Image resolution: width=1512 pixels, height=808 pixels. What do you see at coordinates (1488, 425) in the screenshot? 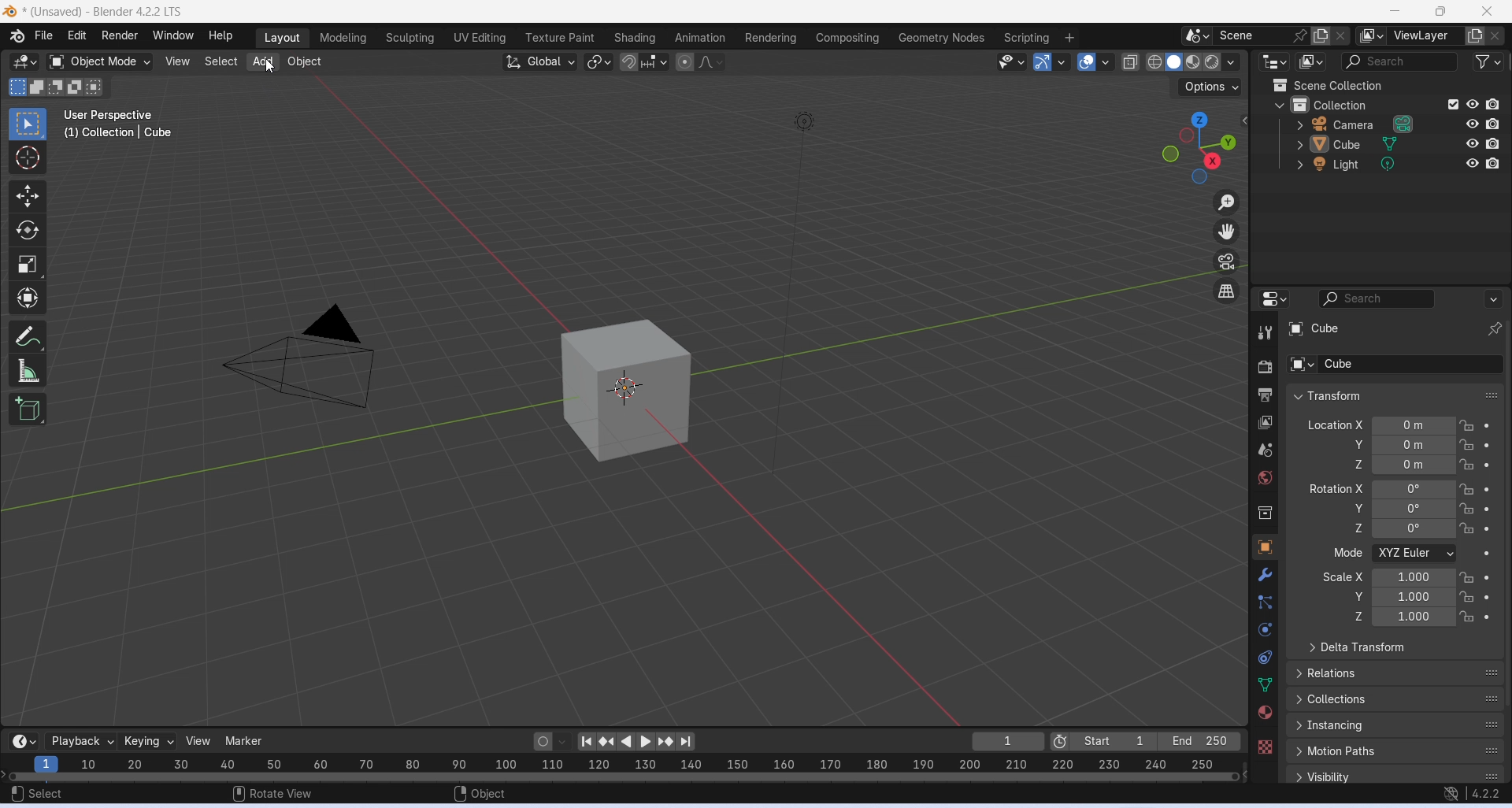
I see `animate property` at bounding box center [1488, 425].